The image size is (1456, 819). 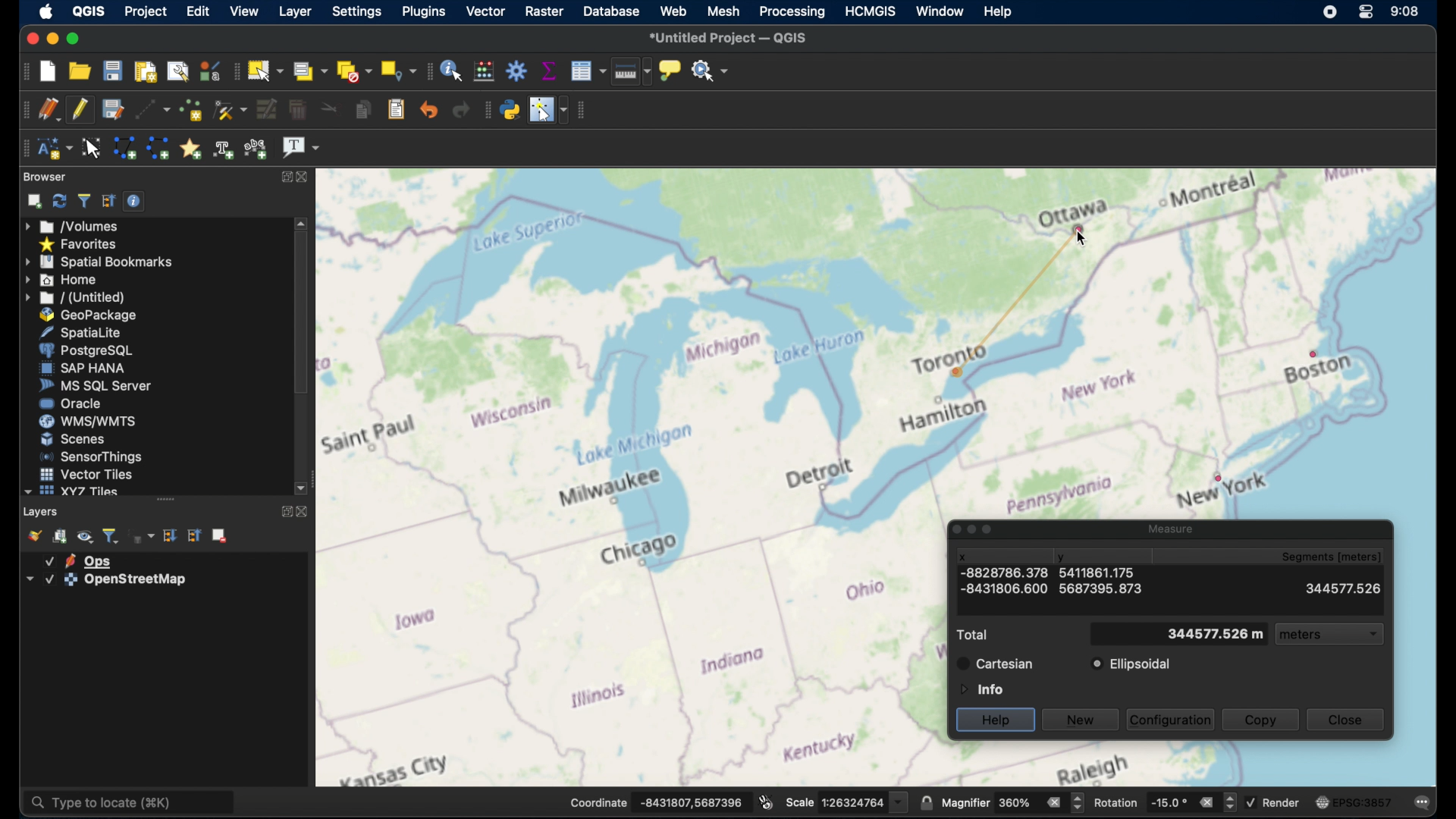 I want to click on close, so click(x=307, y=176).